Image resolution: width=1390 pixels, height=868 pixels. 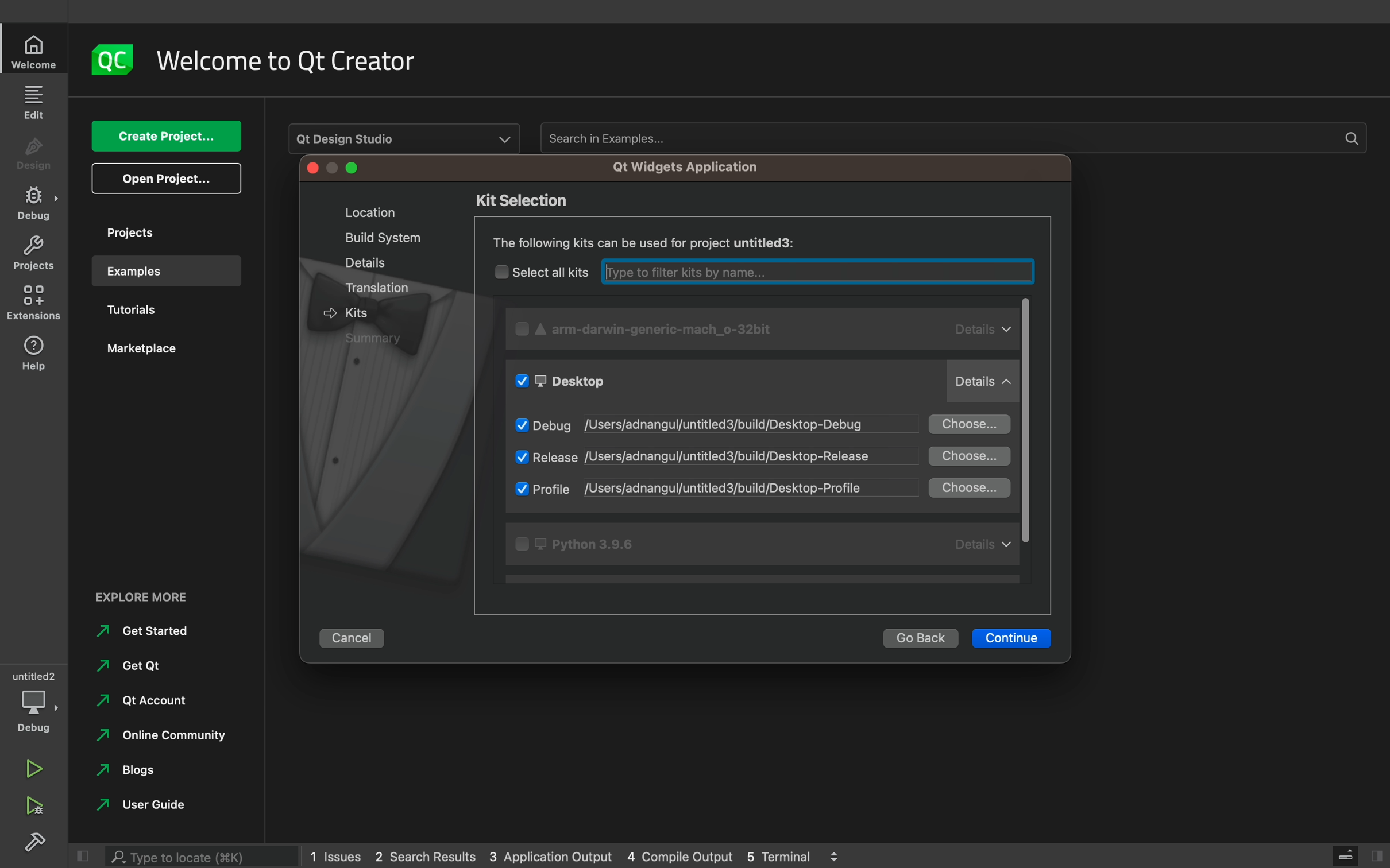 I want to click on build system, so click(x=370, y=239).